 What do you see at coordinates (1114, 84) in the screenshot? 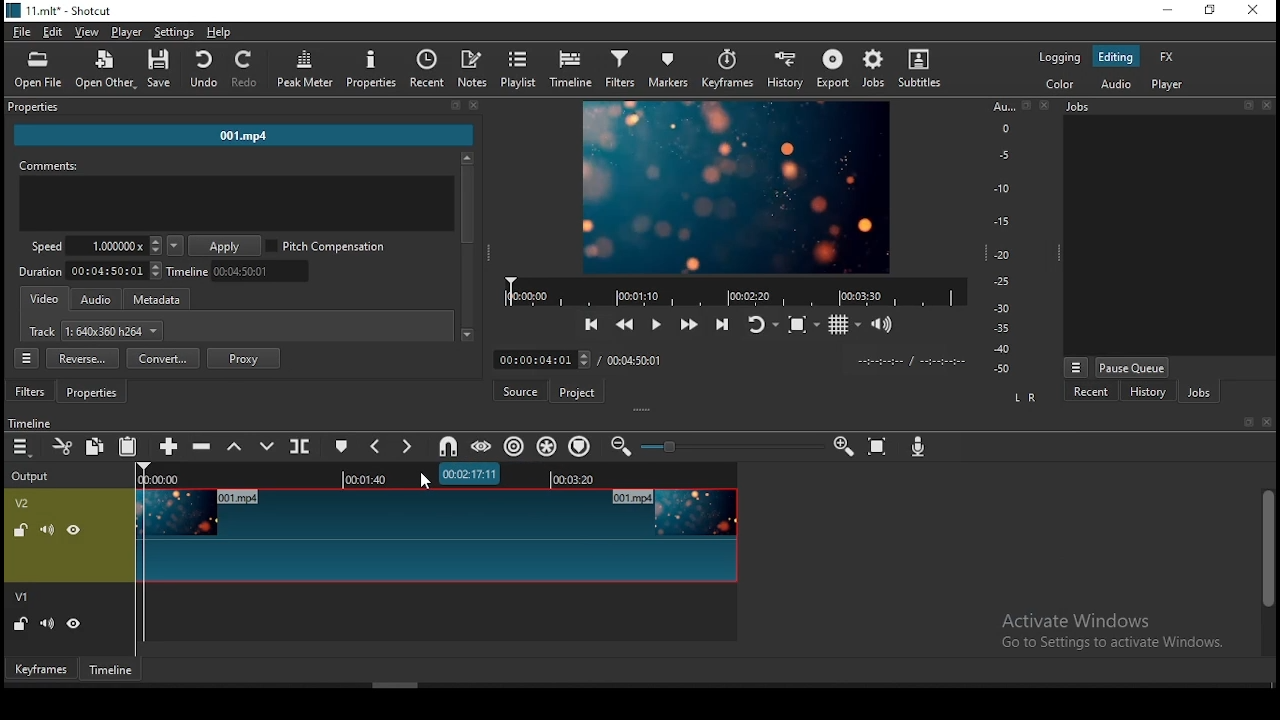
I see `audio` at bounding box center [1114, 84].